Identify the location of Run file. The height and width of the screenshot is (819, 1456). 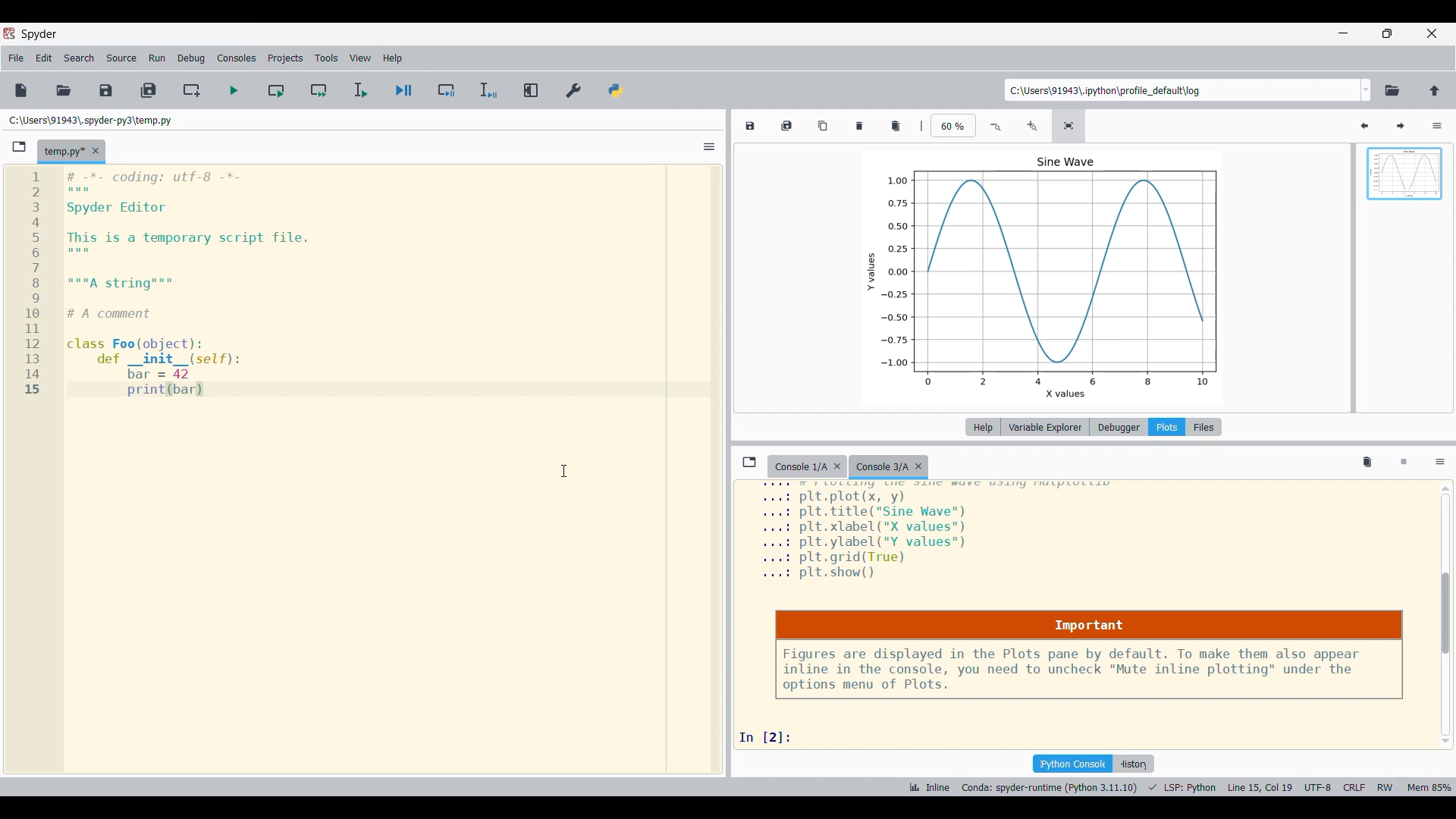
(234, 90).